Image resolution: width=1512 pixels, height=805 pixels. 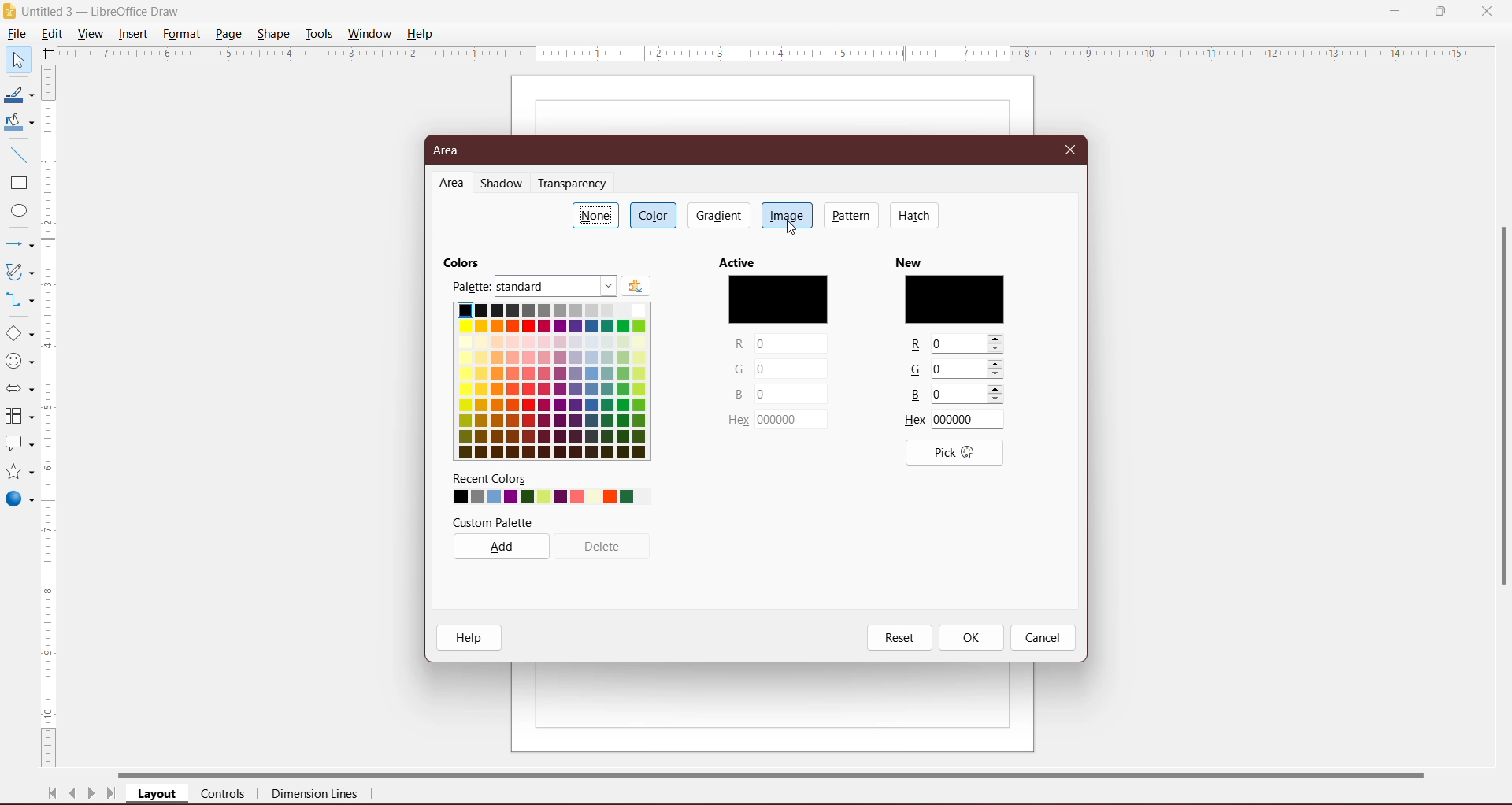 I want to click on Add palette by extension, so click(x=636, y=287).